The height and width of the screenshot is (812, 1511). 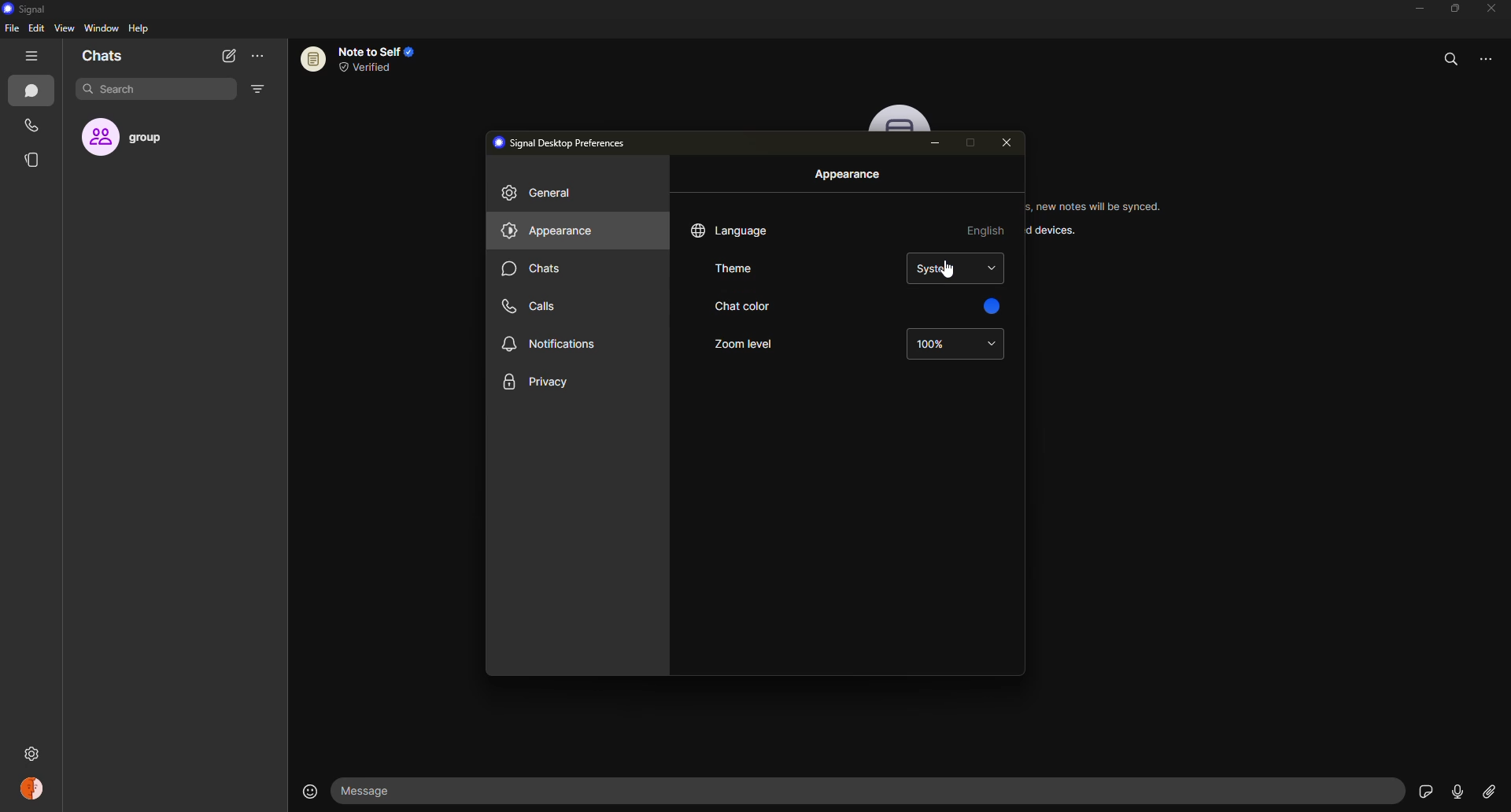 I want to click on chats, so click(x=534, y=268).